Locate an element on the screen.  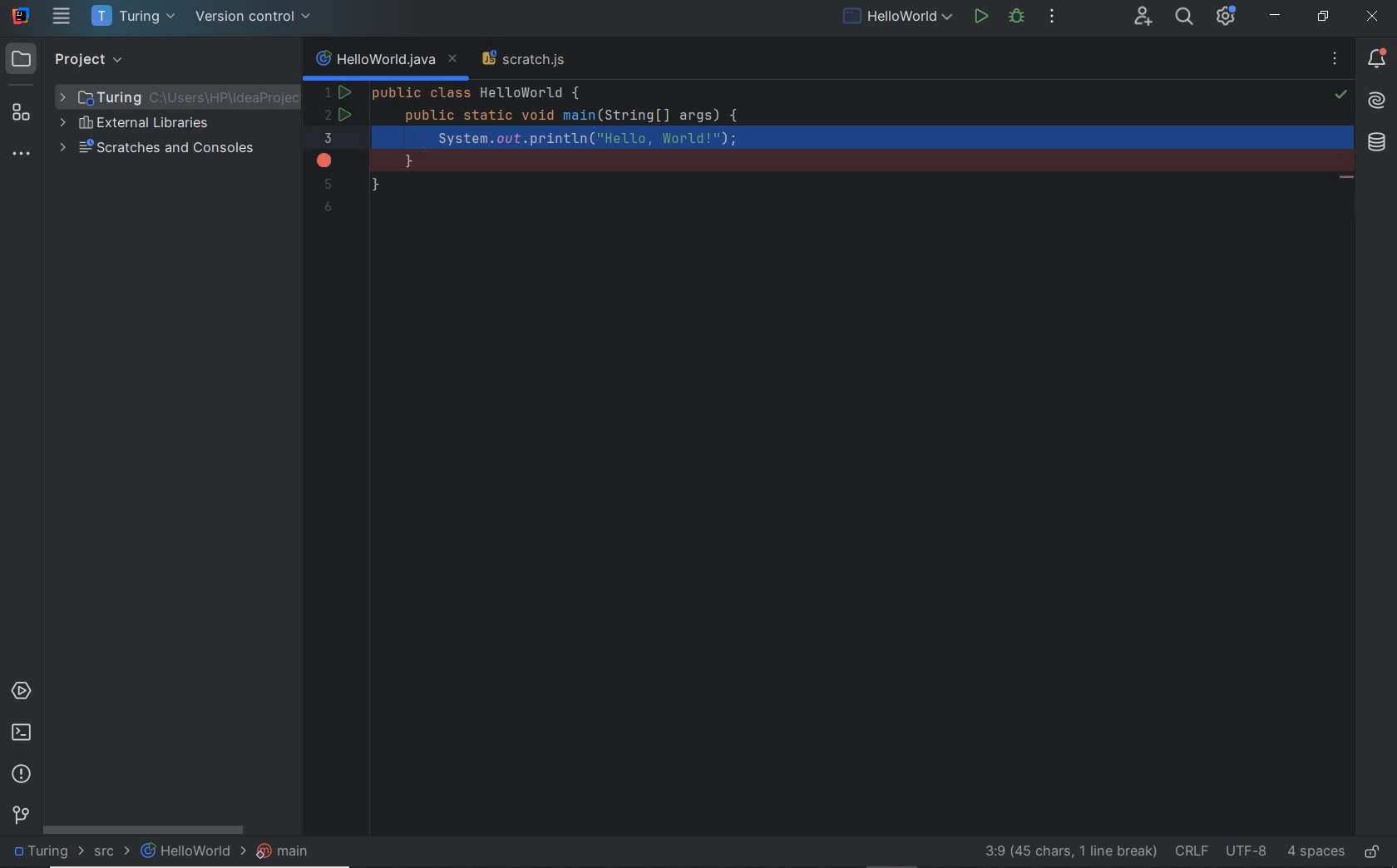
restore down is located at coordinates (1321, 15).